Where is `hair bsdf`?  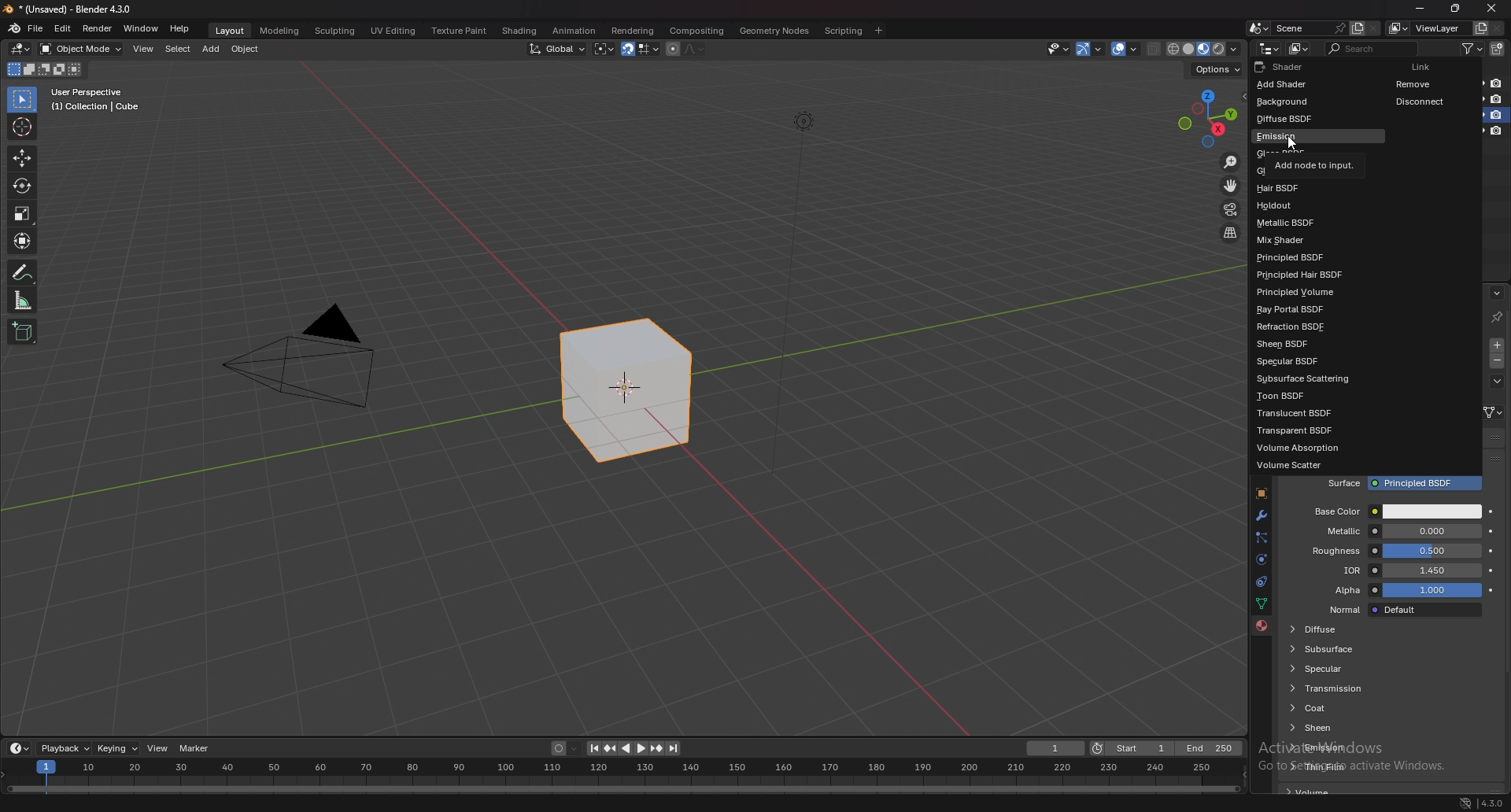 hair bsdf is located at coordinates (1303, 188).